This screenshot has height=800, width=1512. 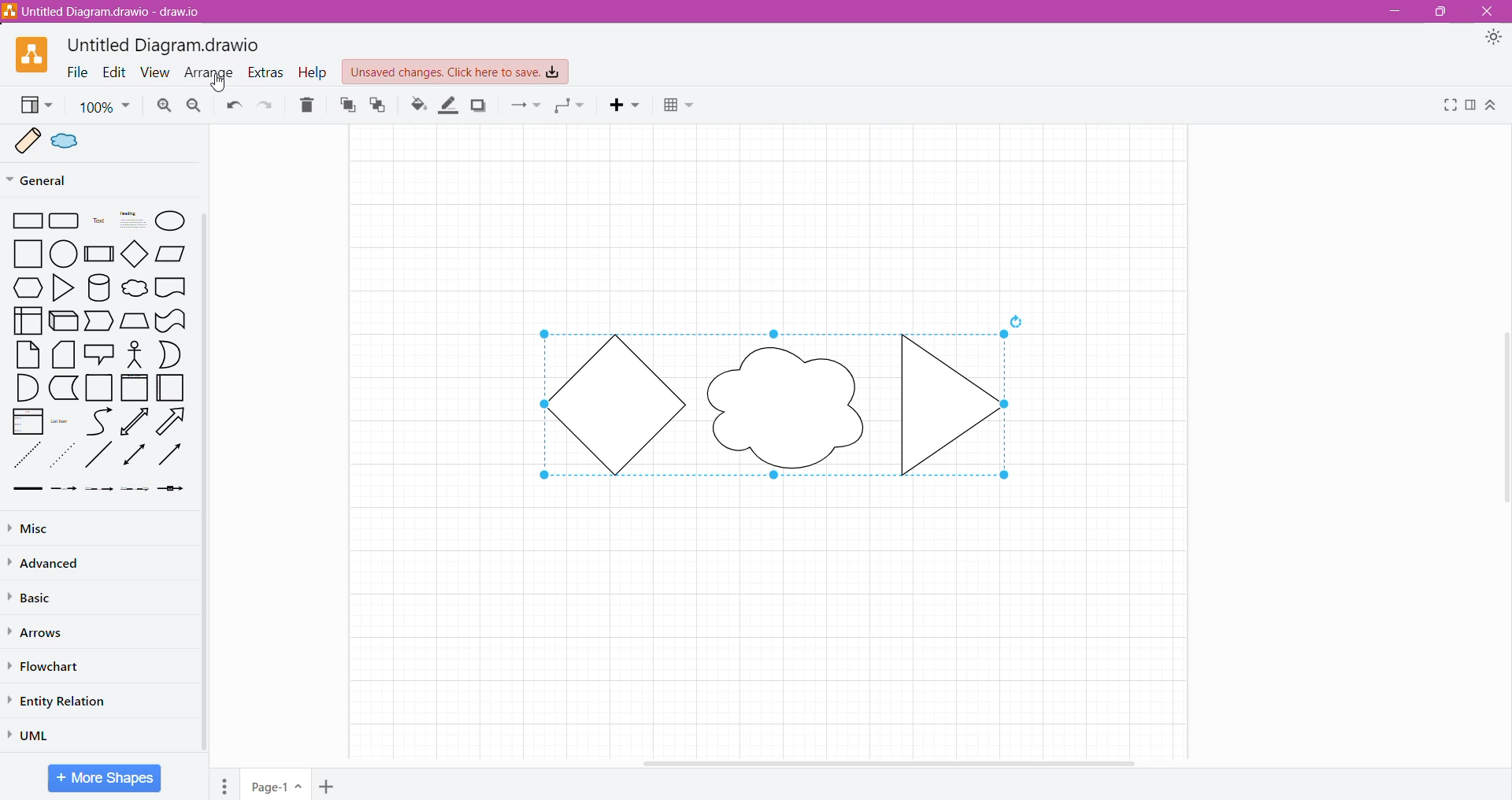 I want to click on Close, so click(x=1492, y=12).